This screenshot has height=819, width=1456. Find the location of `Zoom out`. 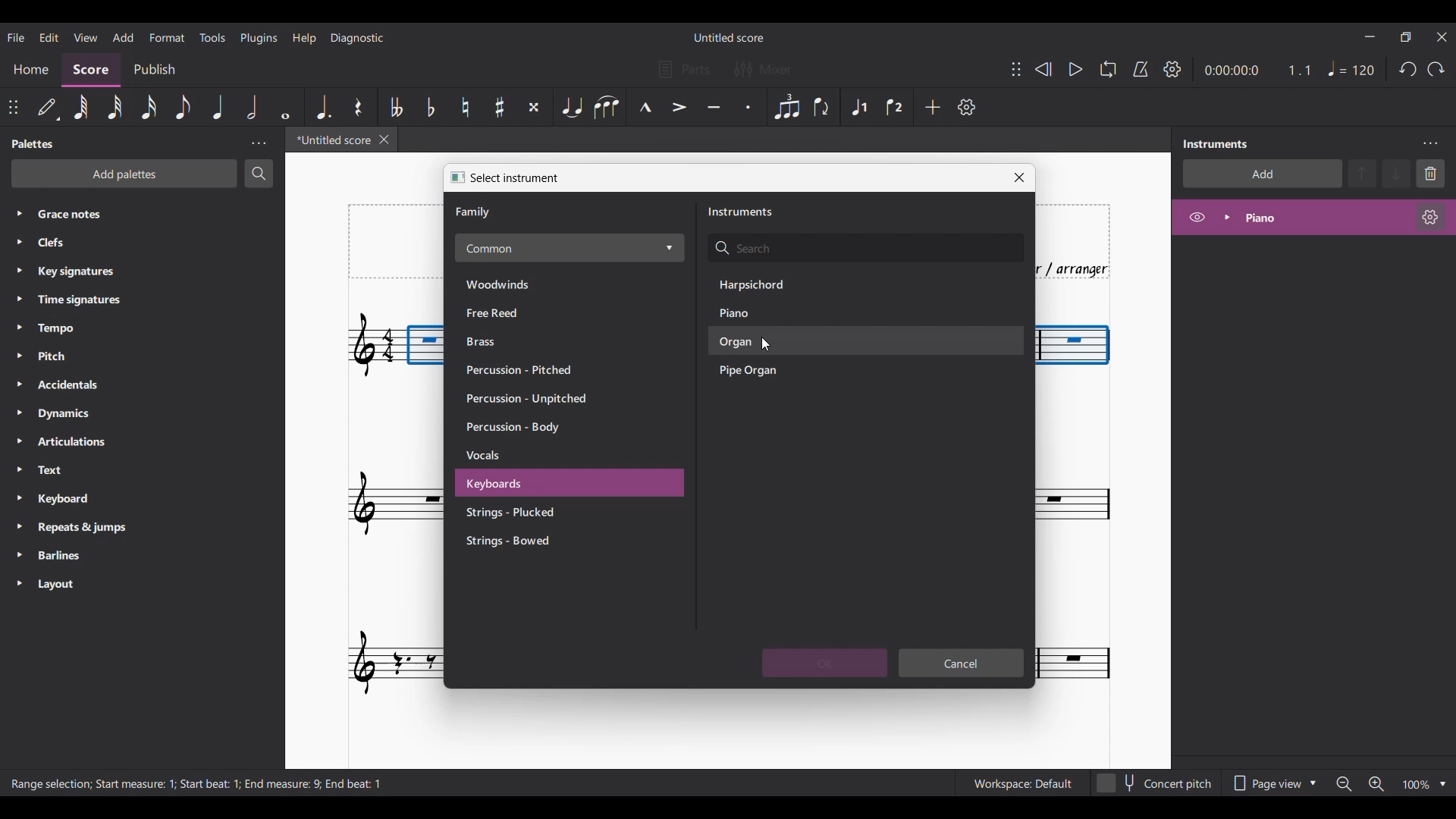

Zoom out is located at coordinates (1344, 785).